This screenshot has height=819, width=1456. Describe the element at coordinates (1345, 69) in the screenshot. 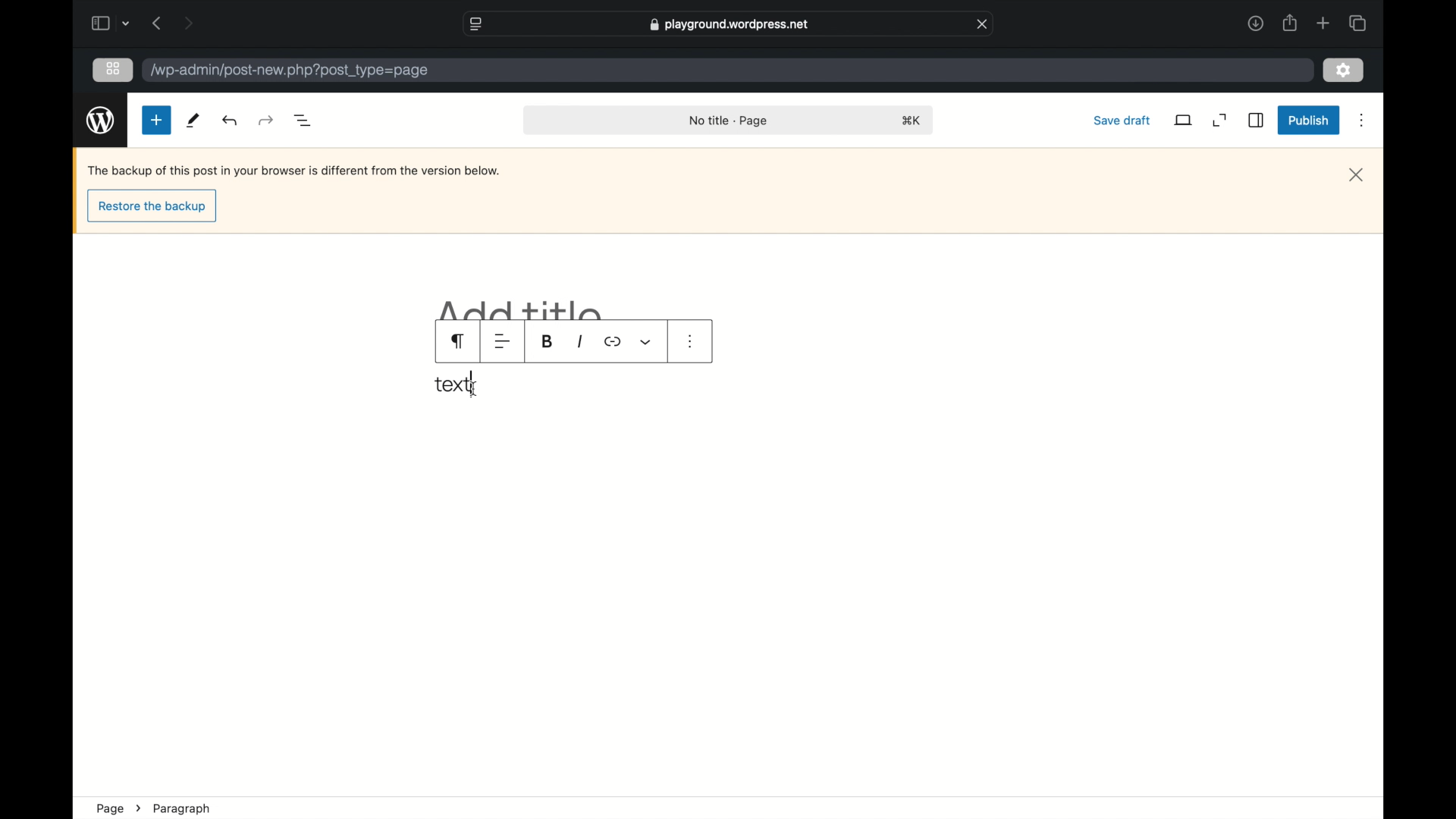

I see `settings` at that location.